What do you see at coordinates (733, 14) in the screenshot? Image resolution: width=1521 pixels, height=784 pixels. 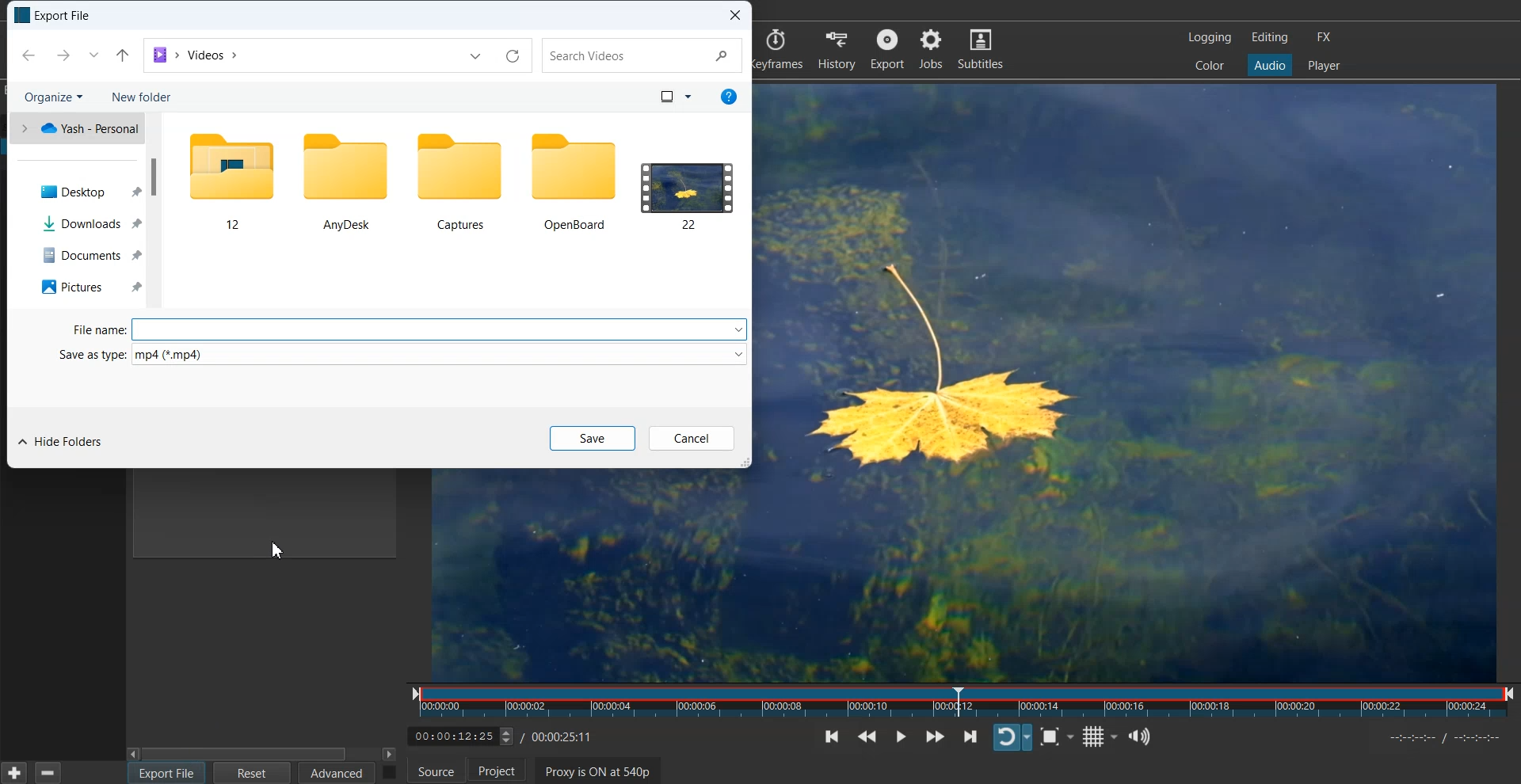 I see `Close` at bounding box center [733, 14].